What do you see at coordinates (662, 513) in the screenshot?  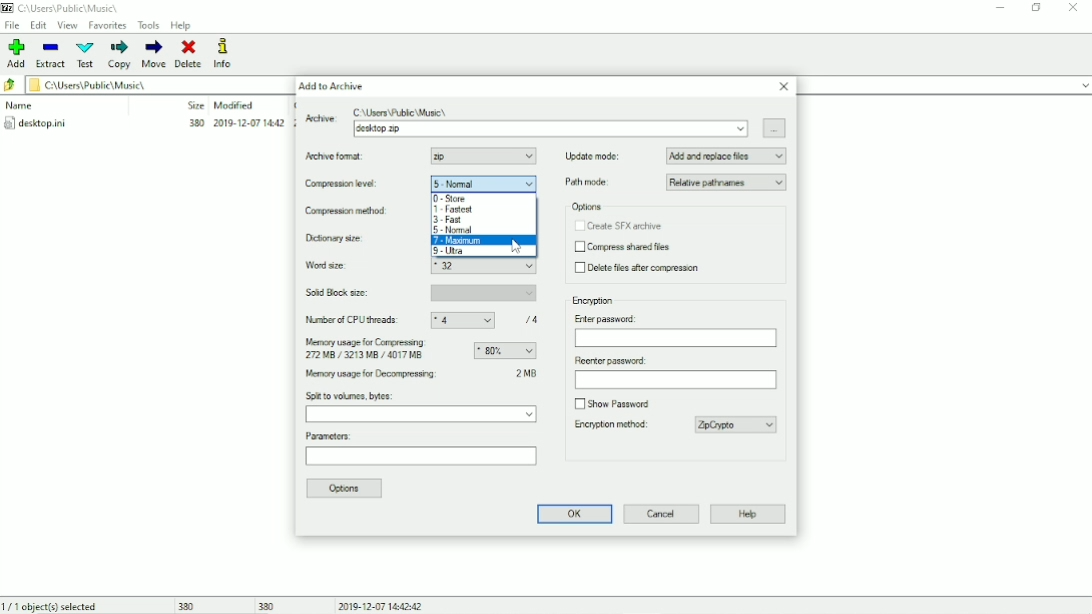 I see `Cancel` at bounding box center [662, 513].